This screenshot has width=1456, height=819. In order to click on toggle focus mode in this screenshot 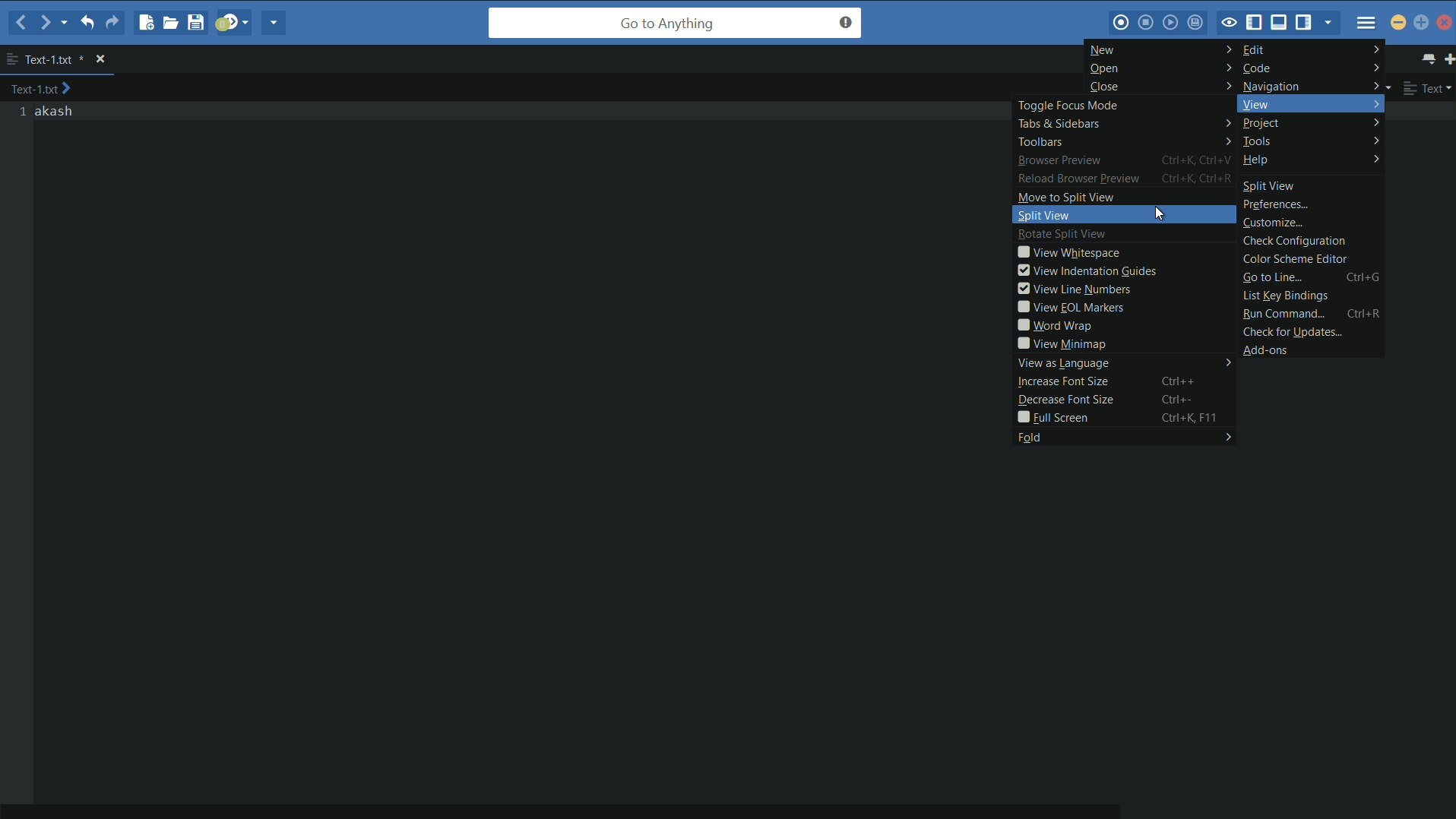, I will do `click(1228, 24)`.